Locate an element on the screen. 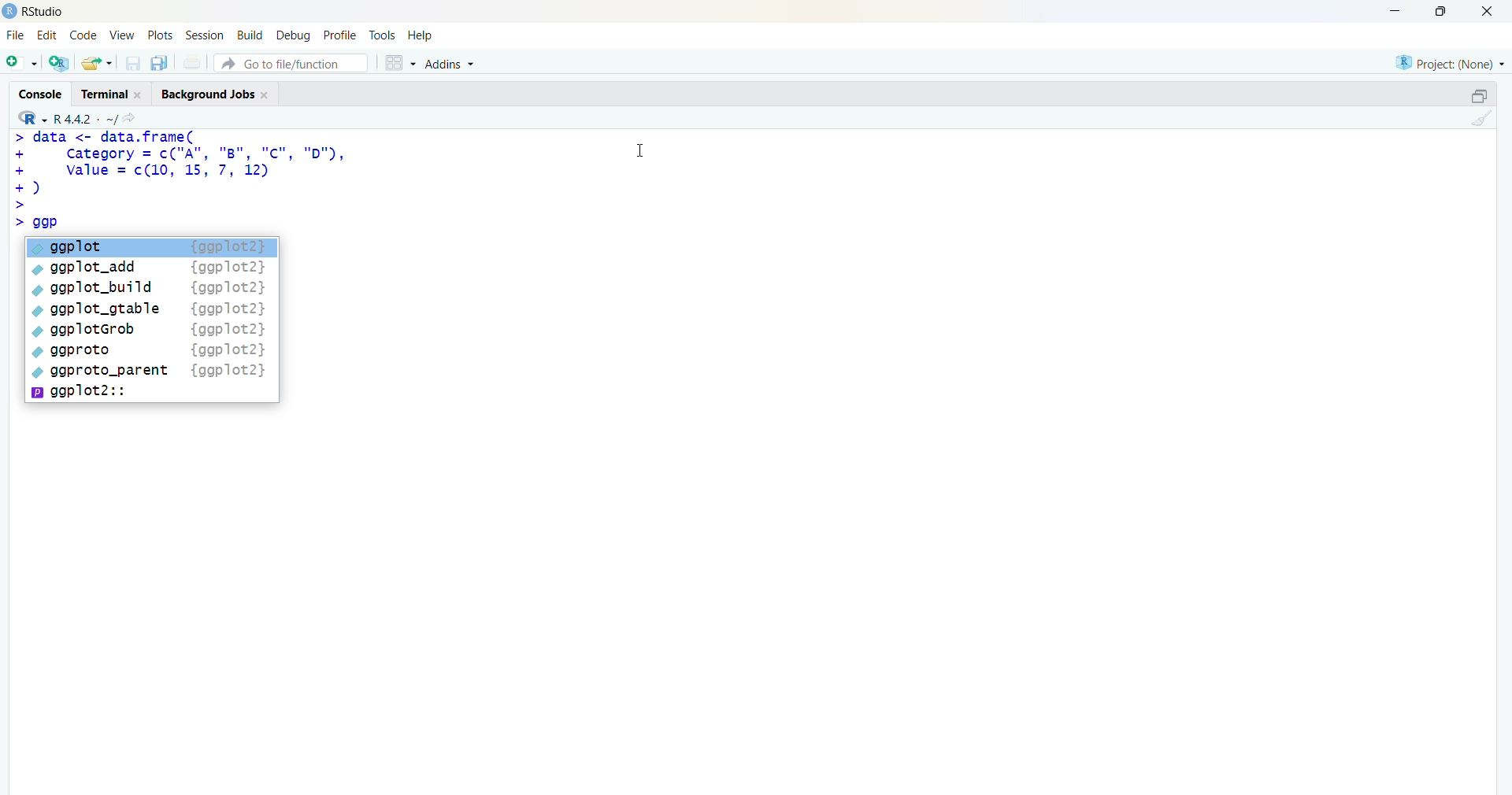  tools is located at coordinates (384, 35).